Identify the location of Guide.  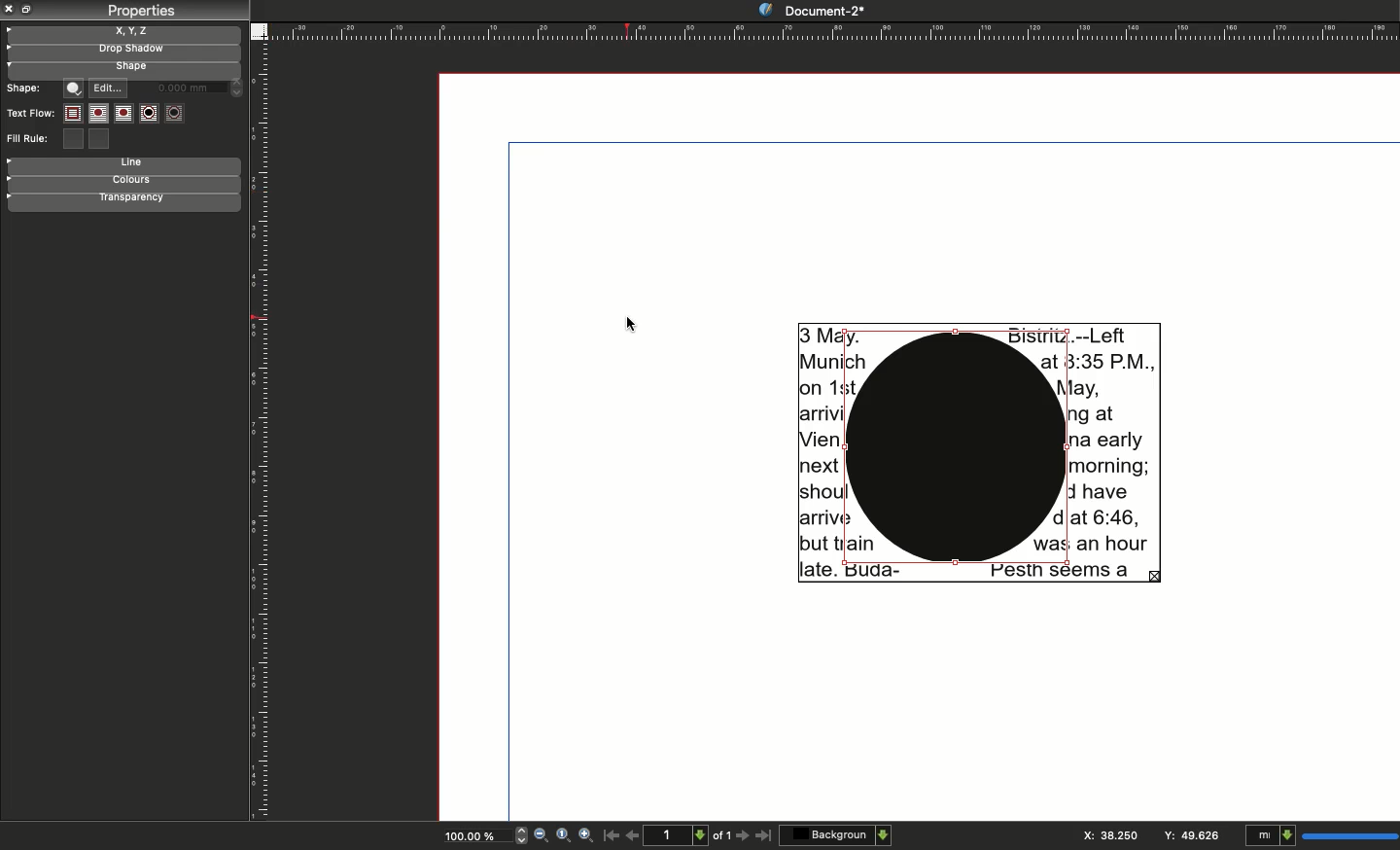
(9, 30).